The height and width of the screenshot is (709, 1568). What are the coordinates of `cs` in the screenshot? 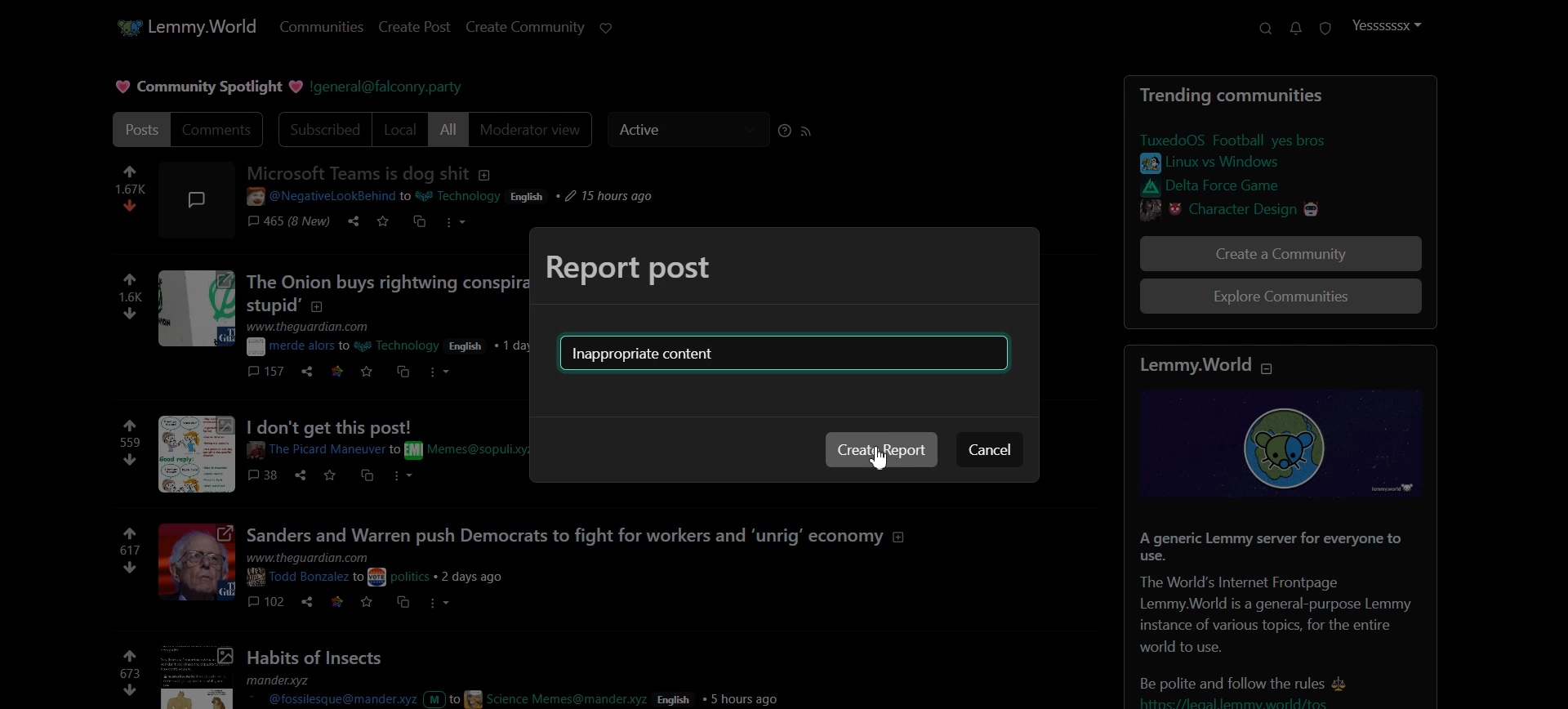 It's located at (421, 225).